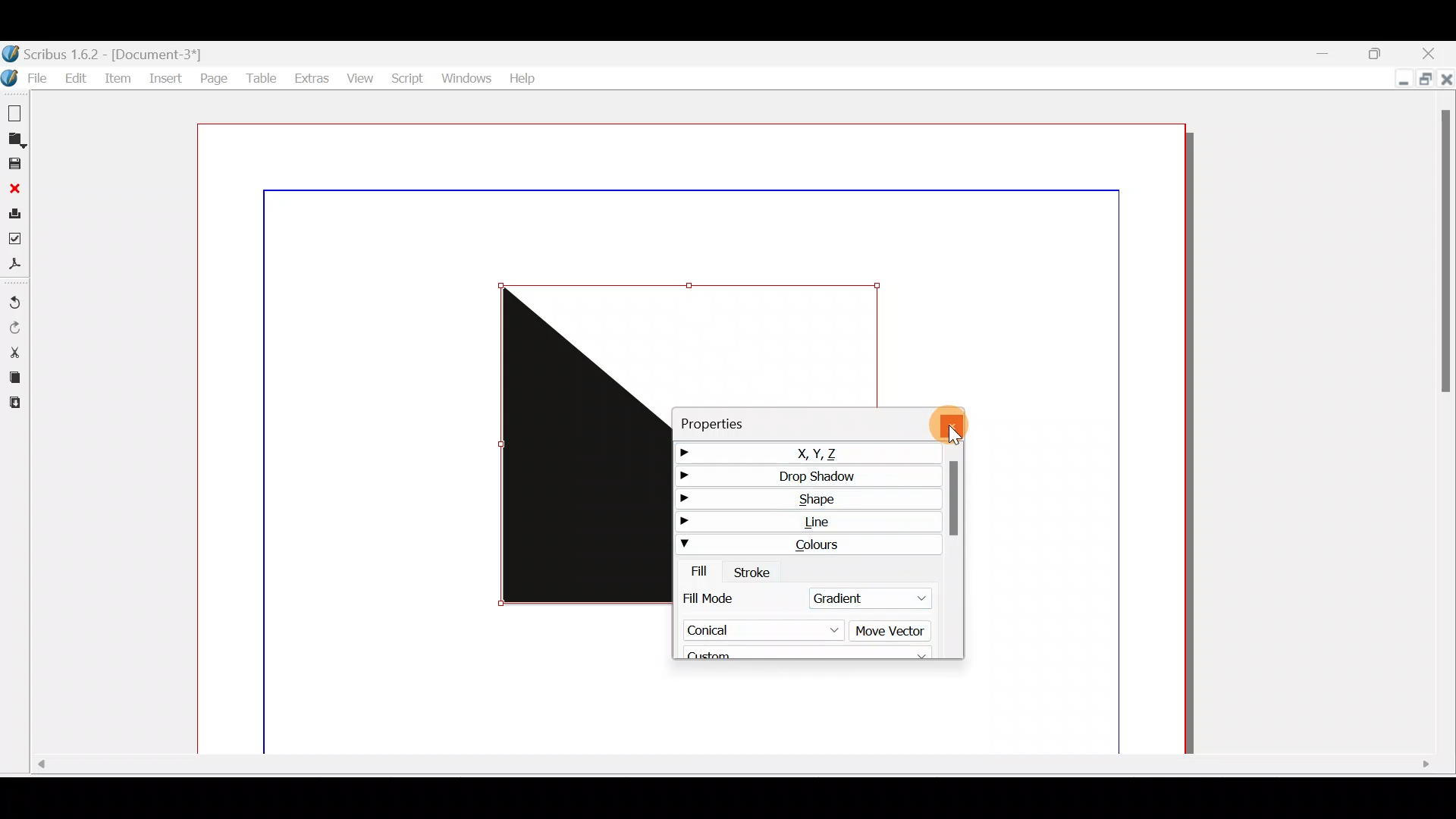 The image size is (1456, 819). I want to click on Save as PDF, so click(17, 263).